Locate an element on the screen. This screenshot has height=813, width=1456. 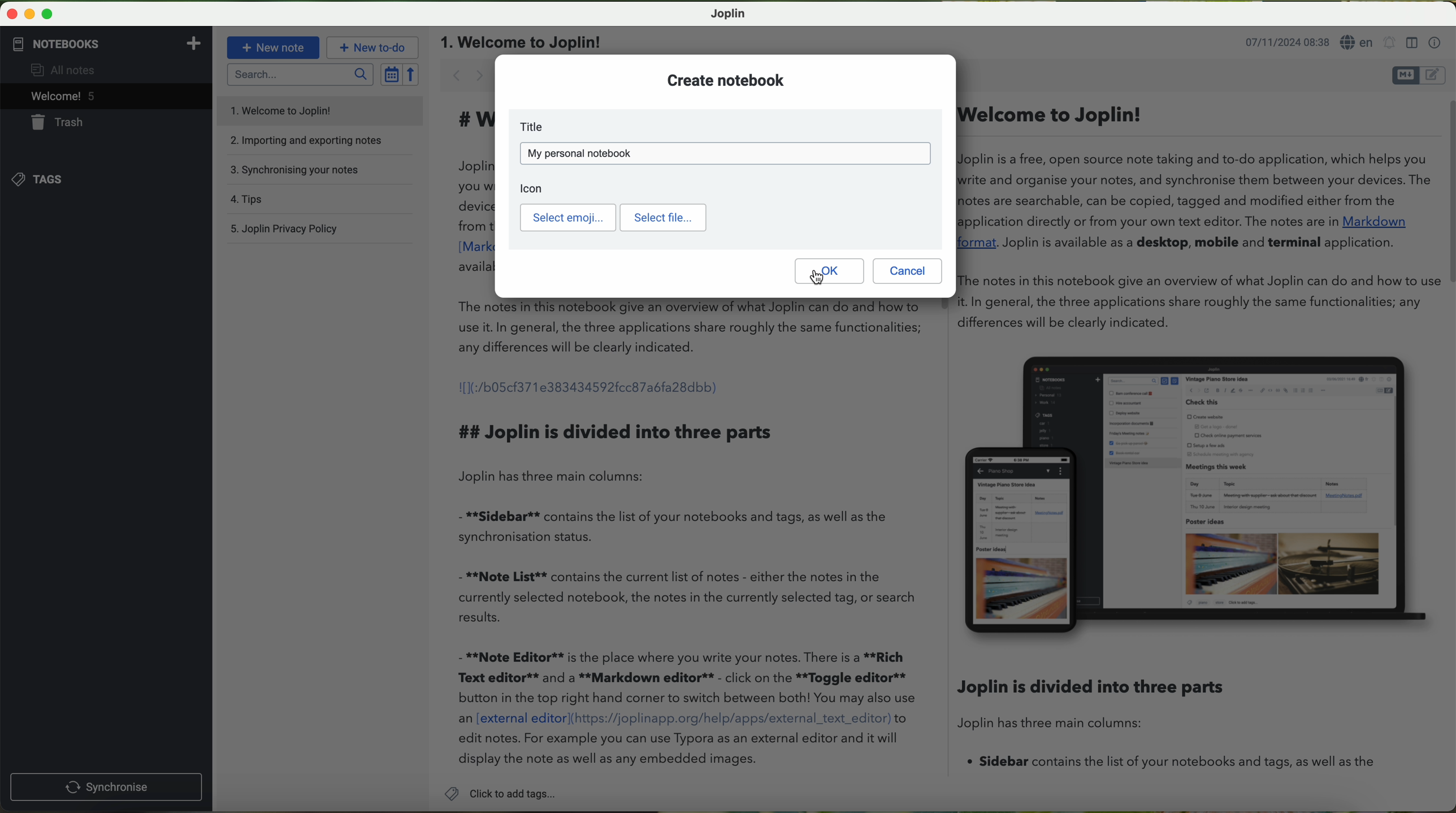
create notebook  is located at coordinates (724, 80).